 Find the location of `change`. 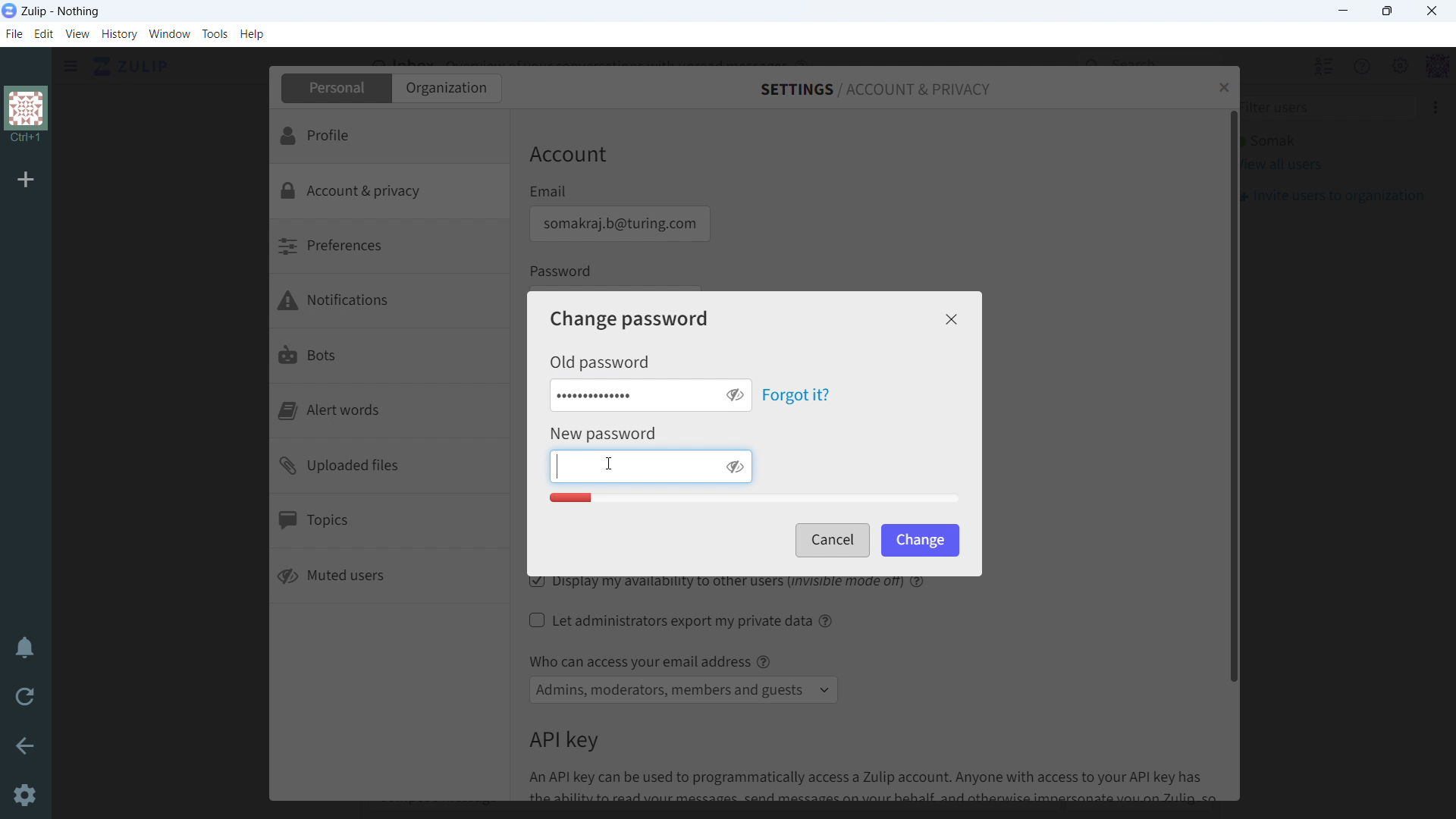

change is located at coordinates (919, 538).